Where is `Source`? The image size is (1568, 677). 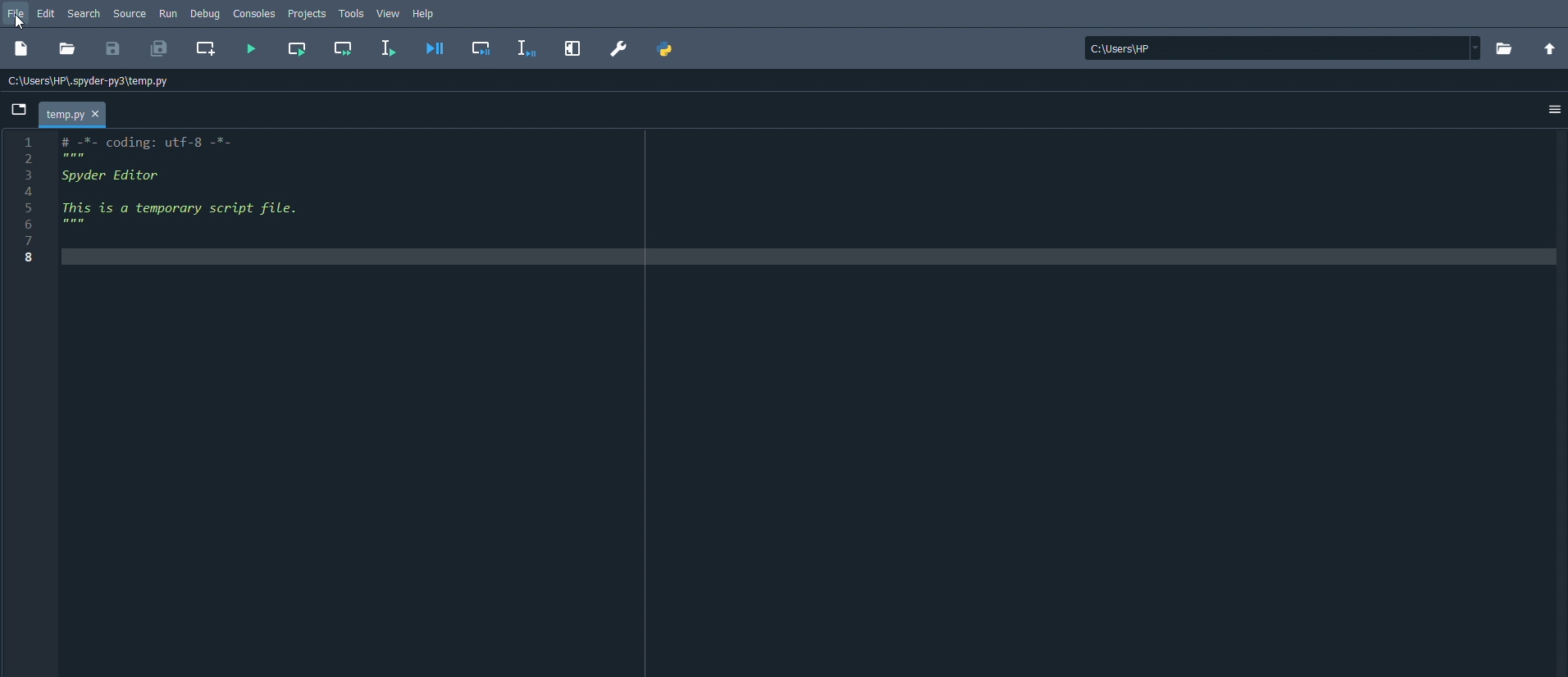 Source is located at coordinates (130, 11).